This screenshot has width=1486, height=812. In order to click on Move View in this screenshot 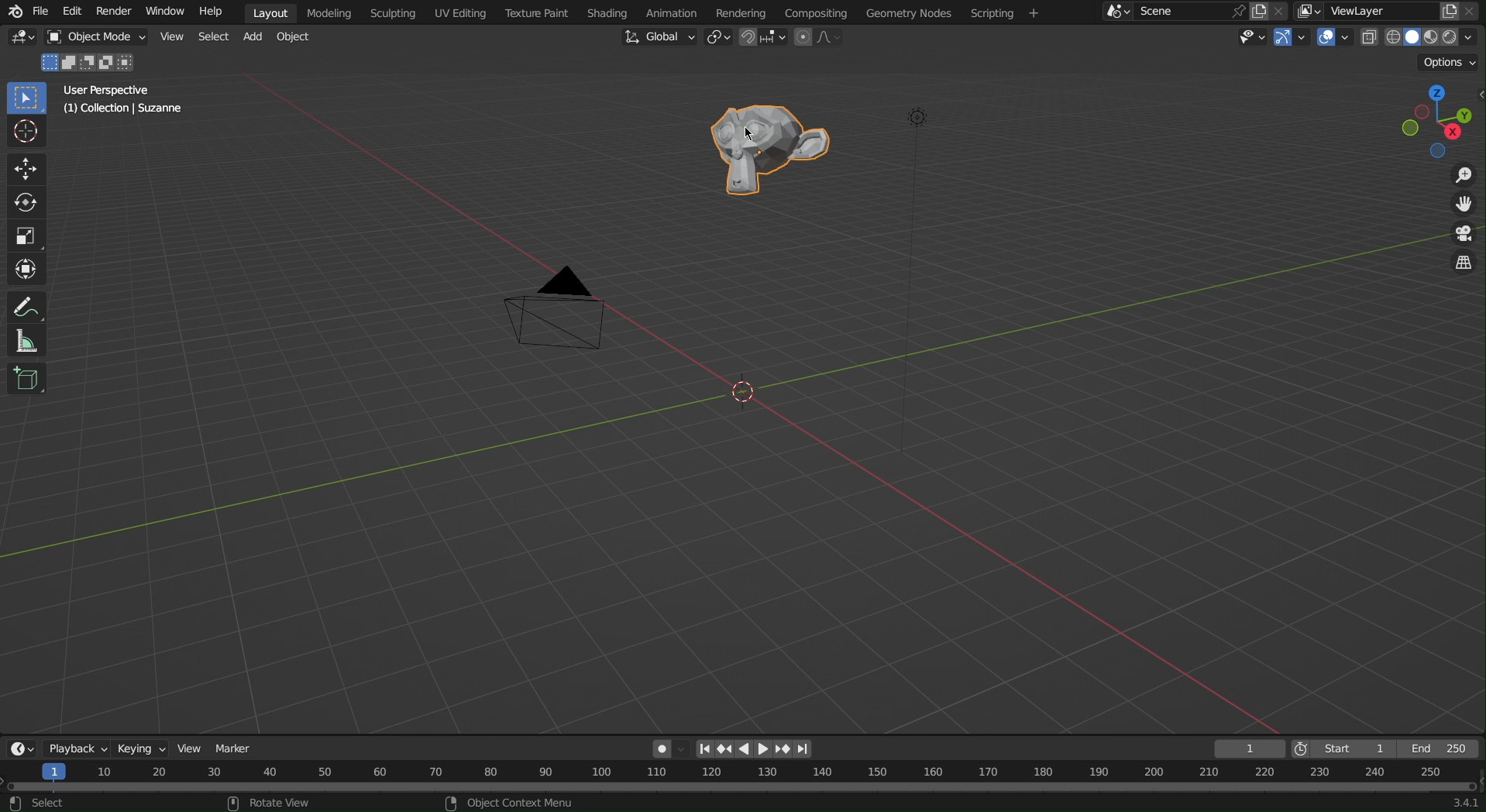, I will do `click(1462, 205)`.